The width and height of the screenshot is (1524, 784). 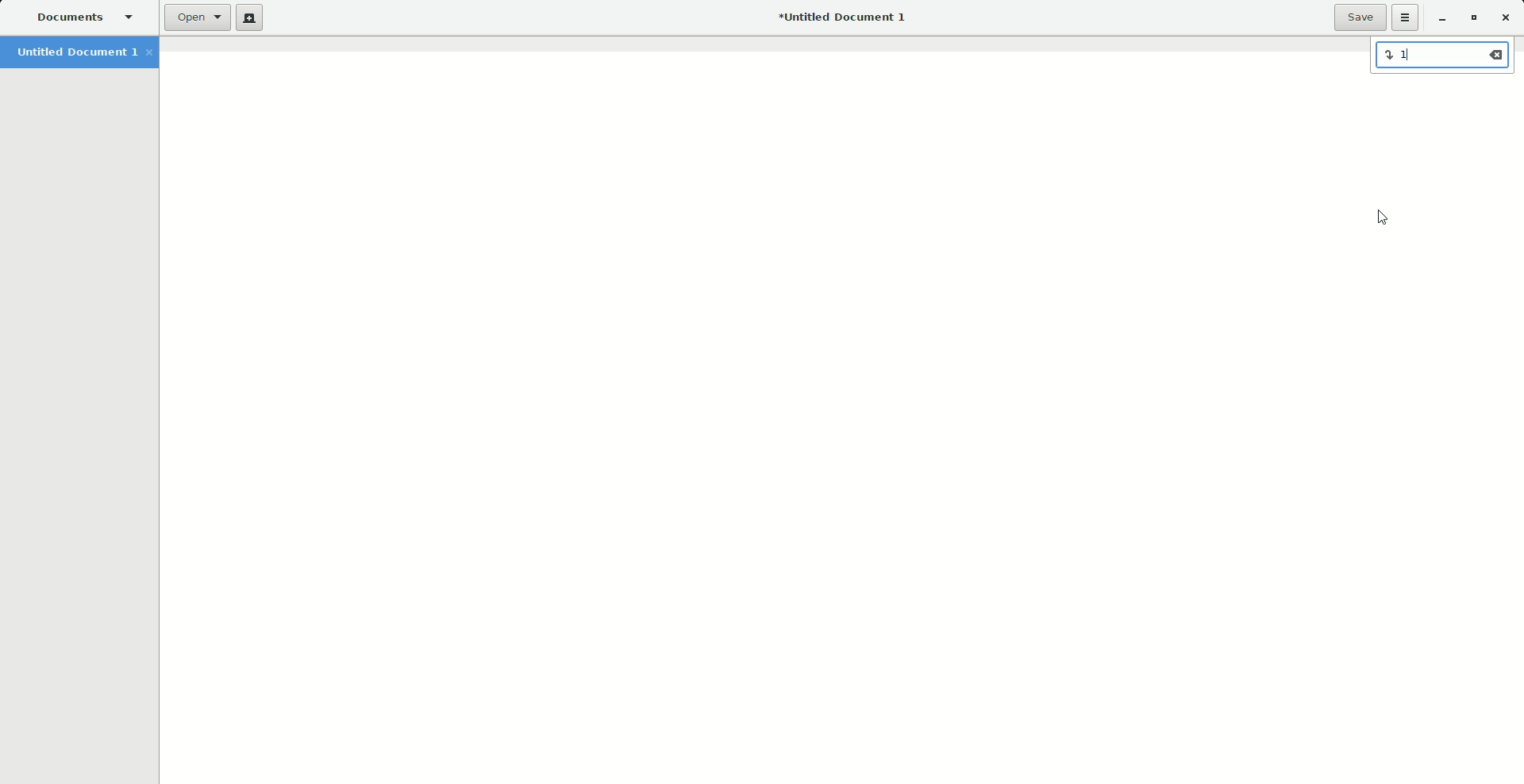 What do you see at coordinates (1406, 18) in the screenshot?
I see `Options` at bounding box center [1406, 18].